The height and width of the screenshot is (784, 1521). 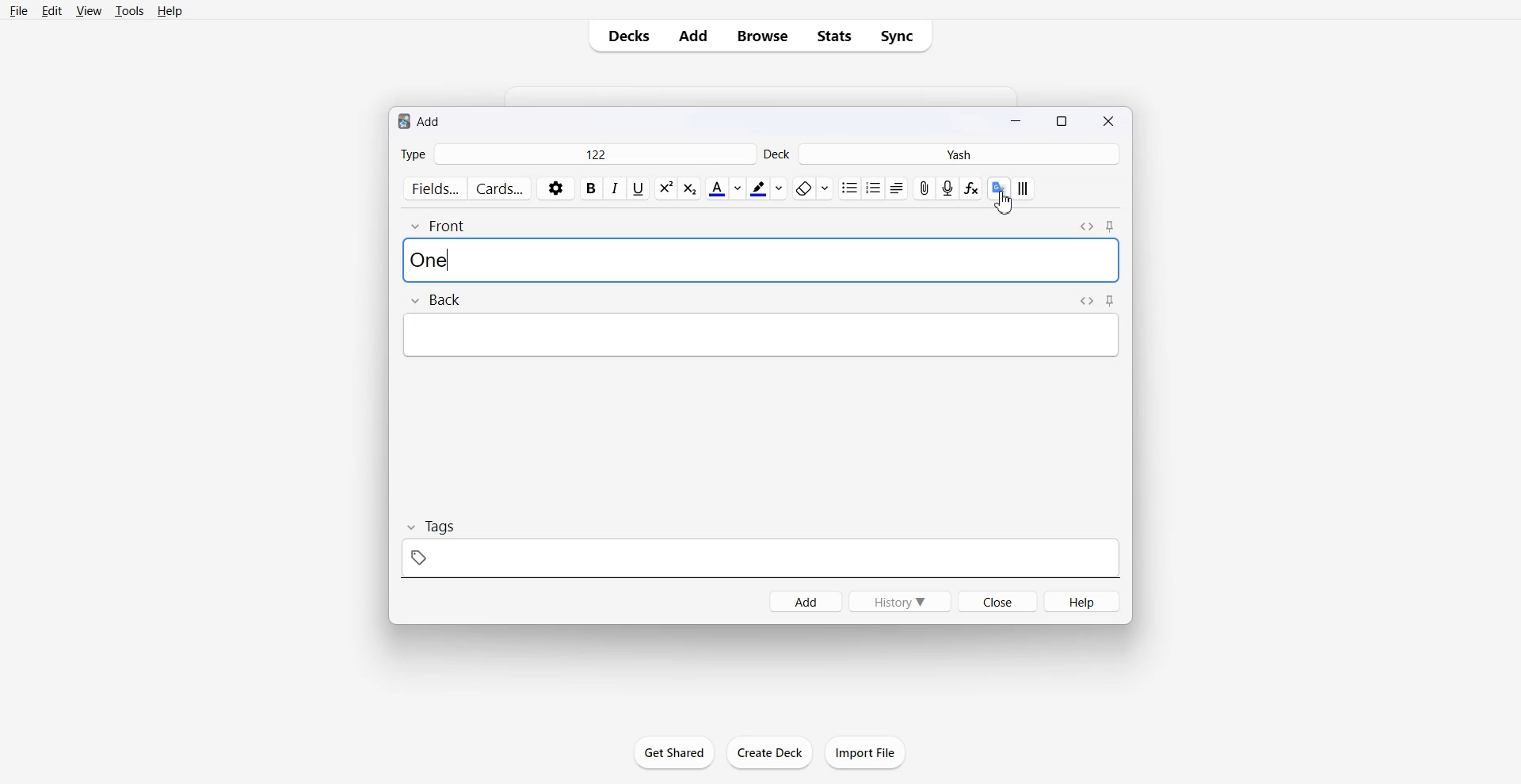 What do you see at coordinates (87, 10) in the screenshot?
I see `View` at bounding box center [87, 10].